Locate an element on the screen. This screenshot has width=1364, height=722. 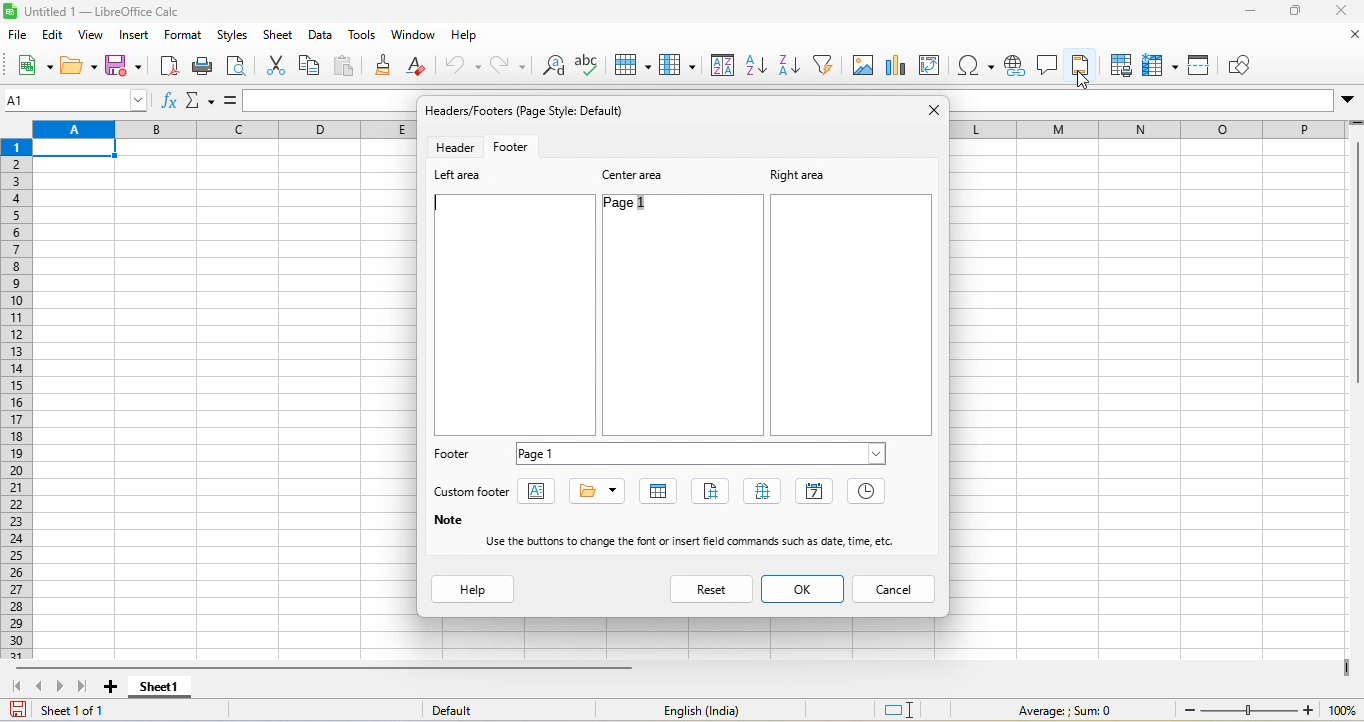
reset is located at coordinates (713, 588).